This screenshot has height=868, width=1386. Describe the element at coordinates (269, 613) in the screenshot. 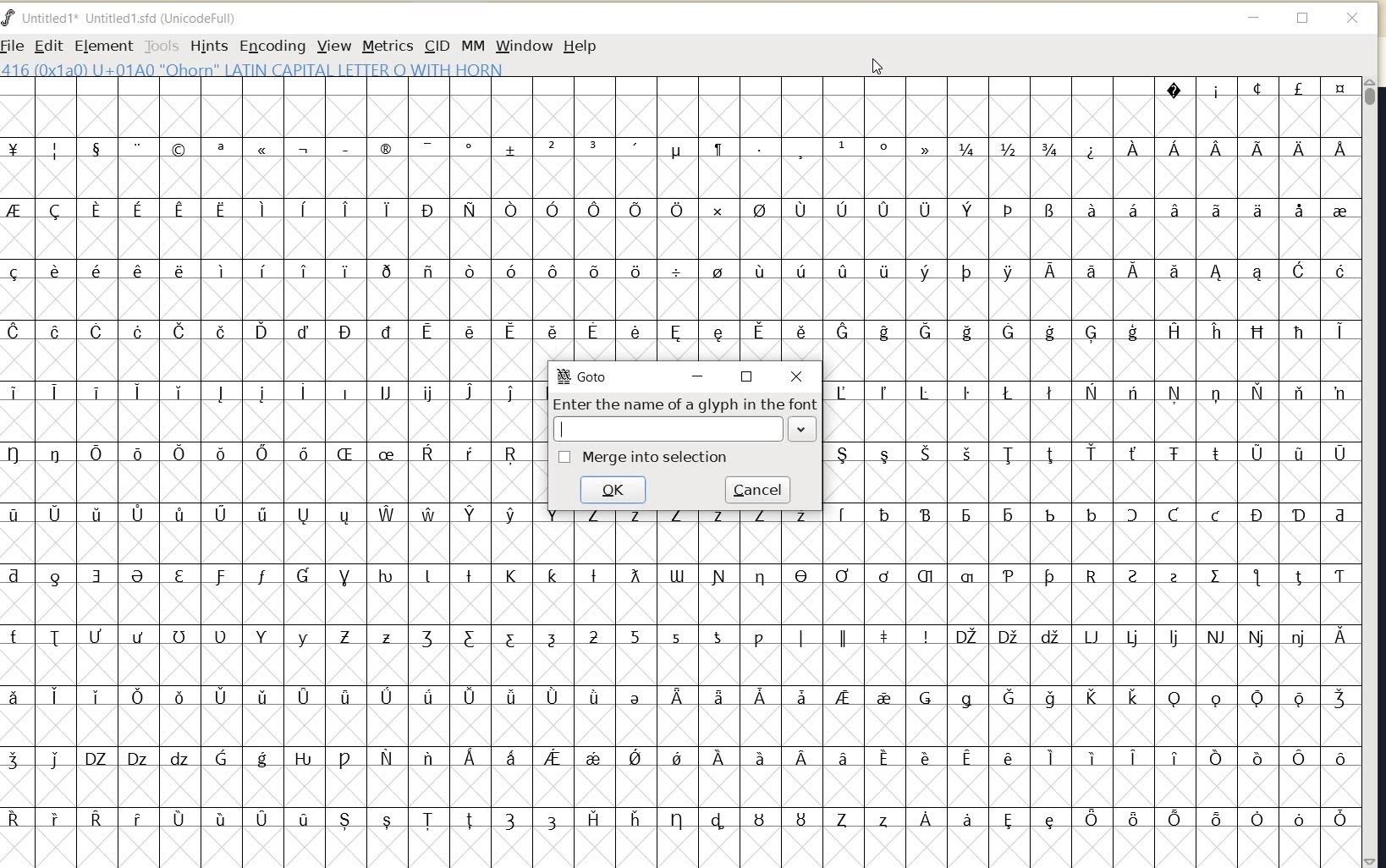

I see `glyph characters` at that location.